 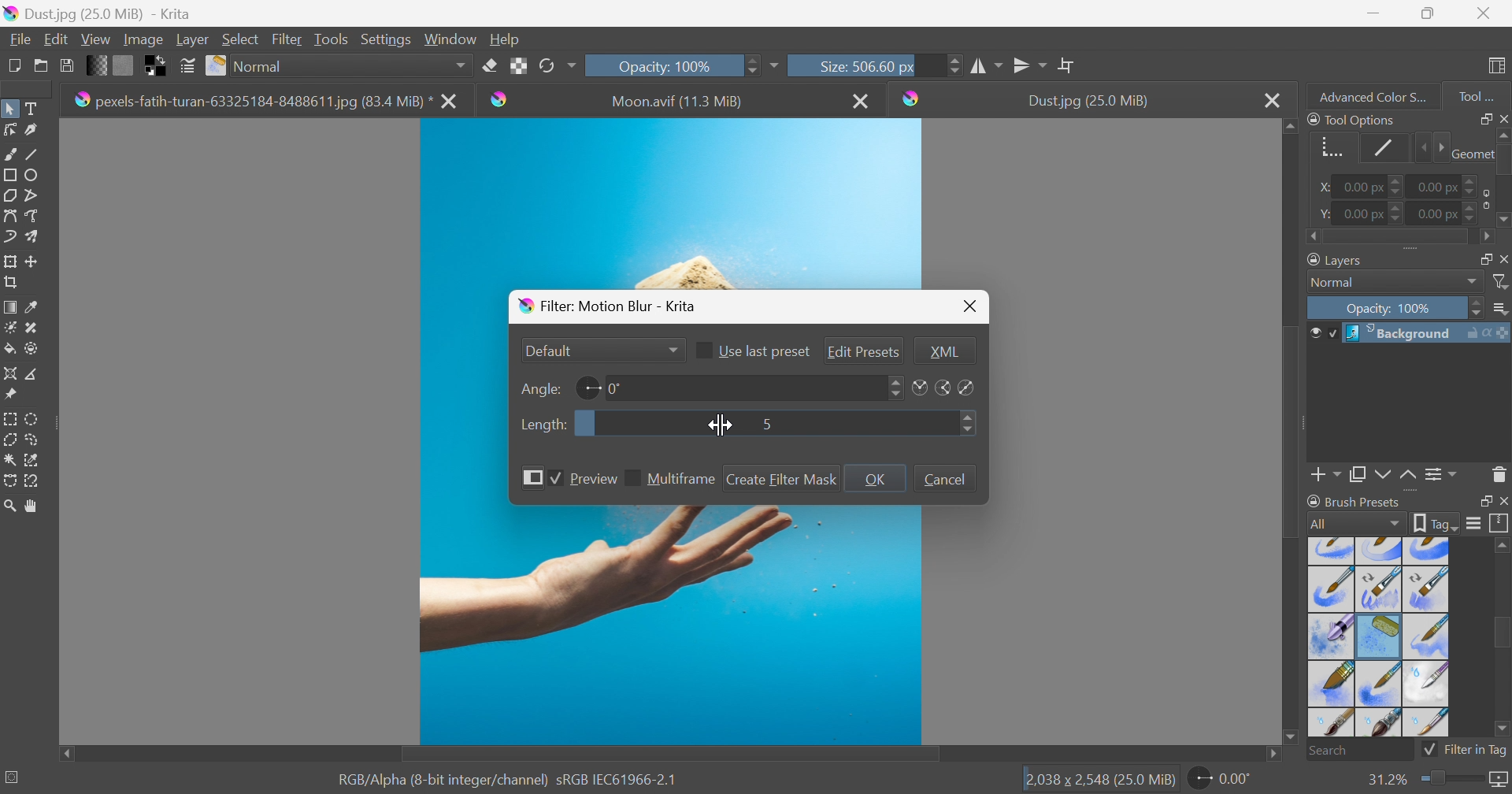 I want to click on Restore Down, so click(x=1428, y=13).